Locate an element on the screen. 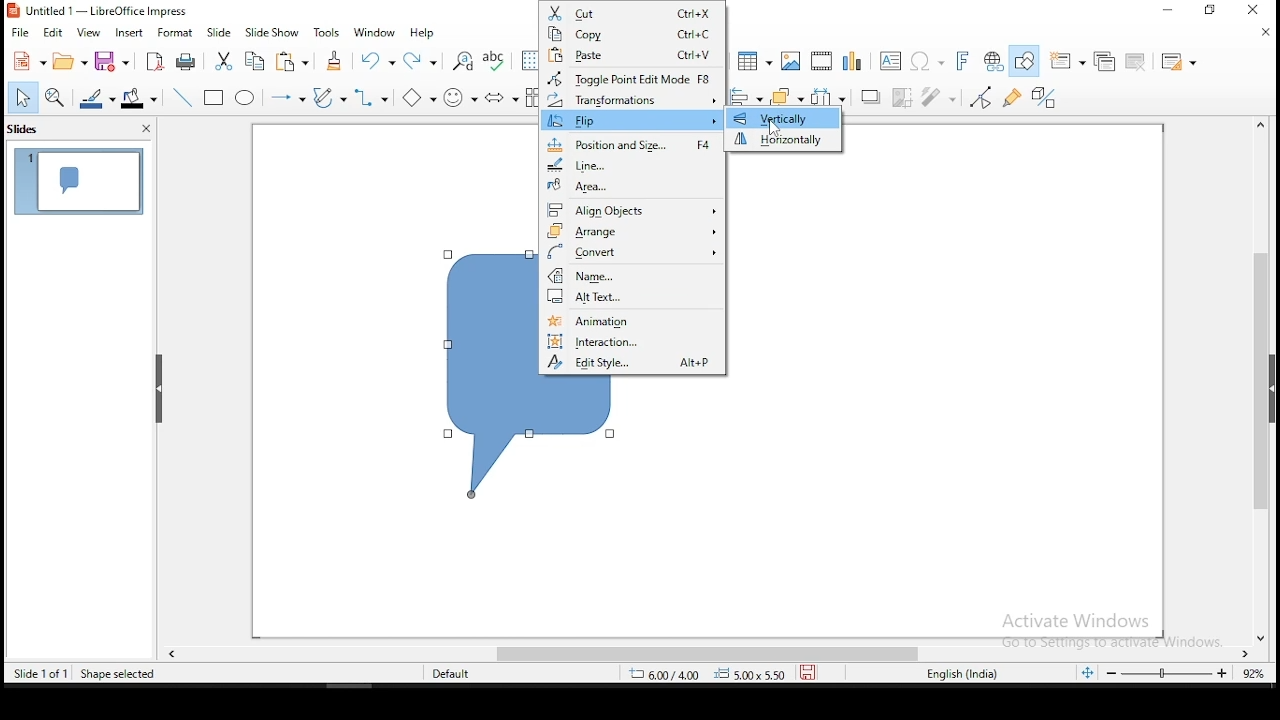  slides is located at coordinates (31, 129).